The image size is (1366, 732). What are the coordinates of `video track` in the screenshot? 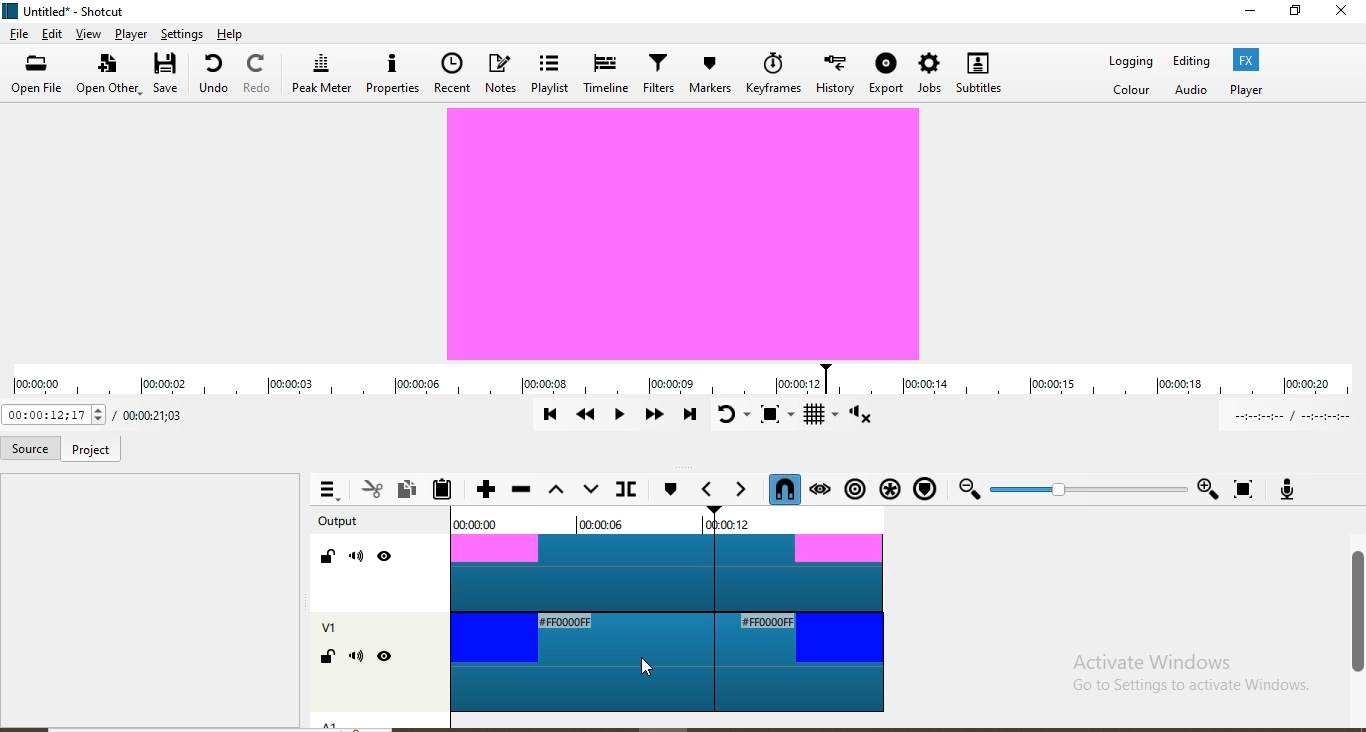 It's located at (667, 572).